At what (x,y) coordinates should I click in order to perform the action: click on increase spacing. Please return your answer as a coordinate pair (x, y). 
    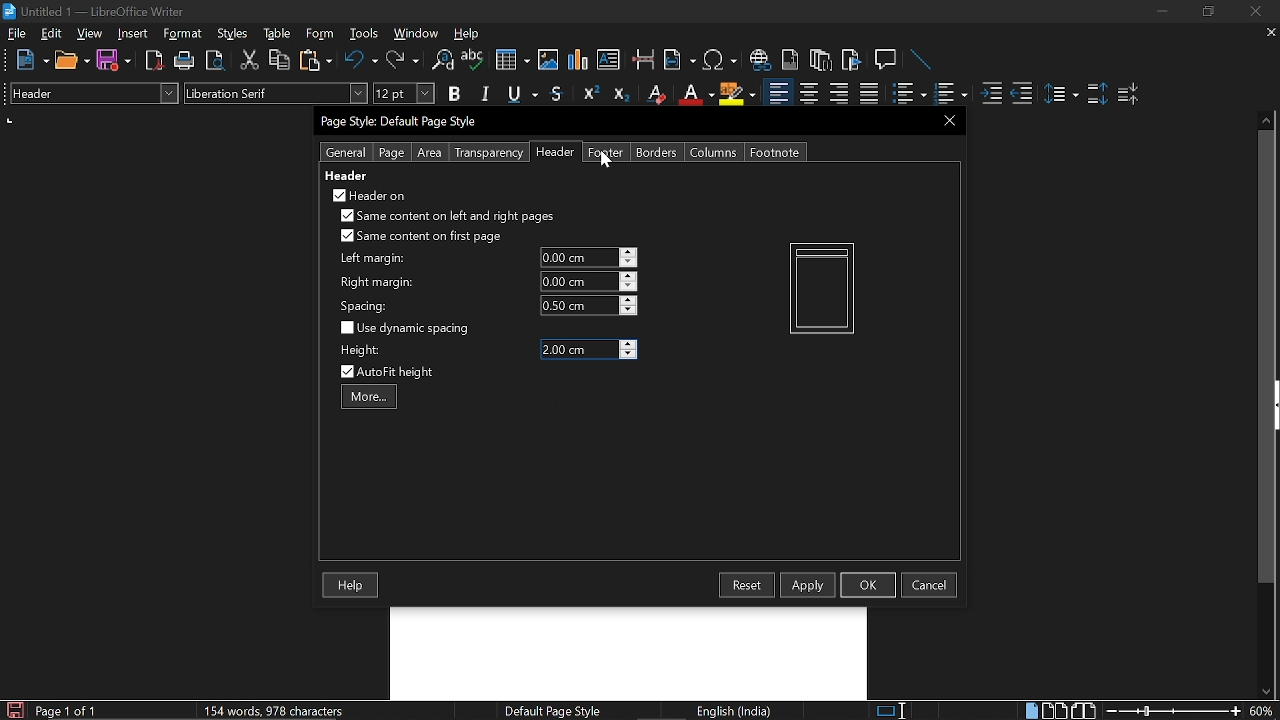
    Looking at the image, I should click on (629, 299).